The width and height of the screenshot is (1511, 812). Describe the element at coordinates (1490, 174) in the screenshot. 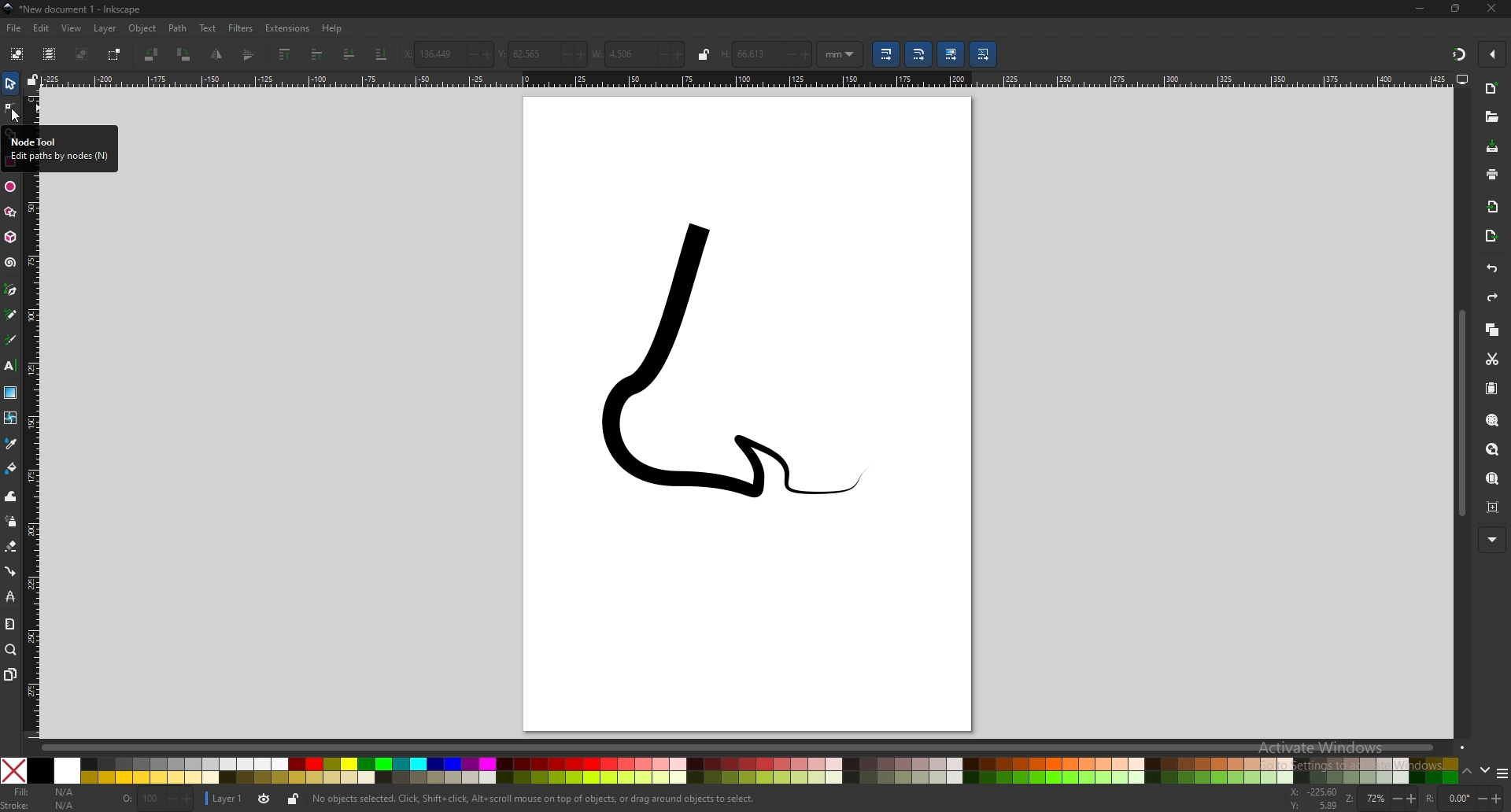

I see `print` at that location.